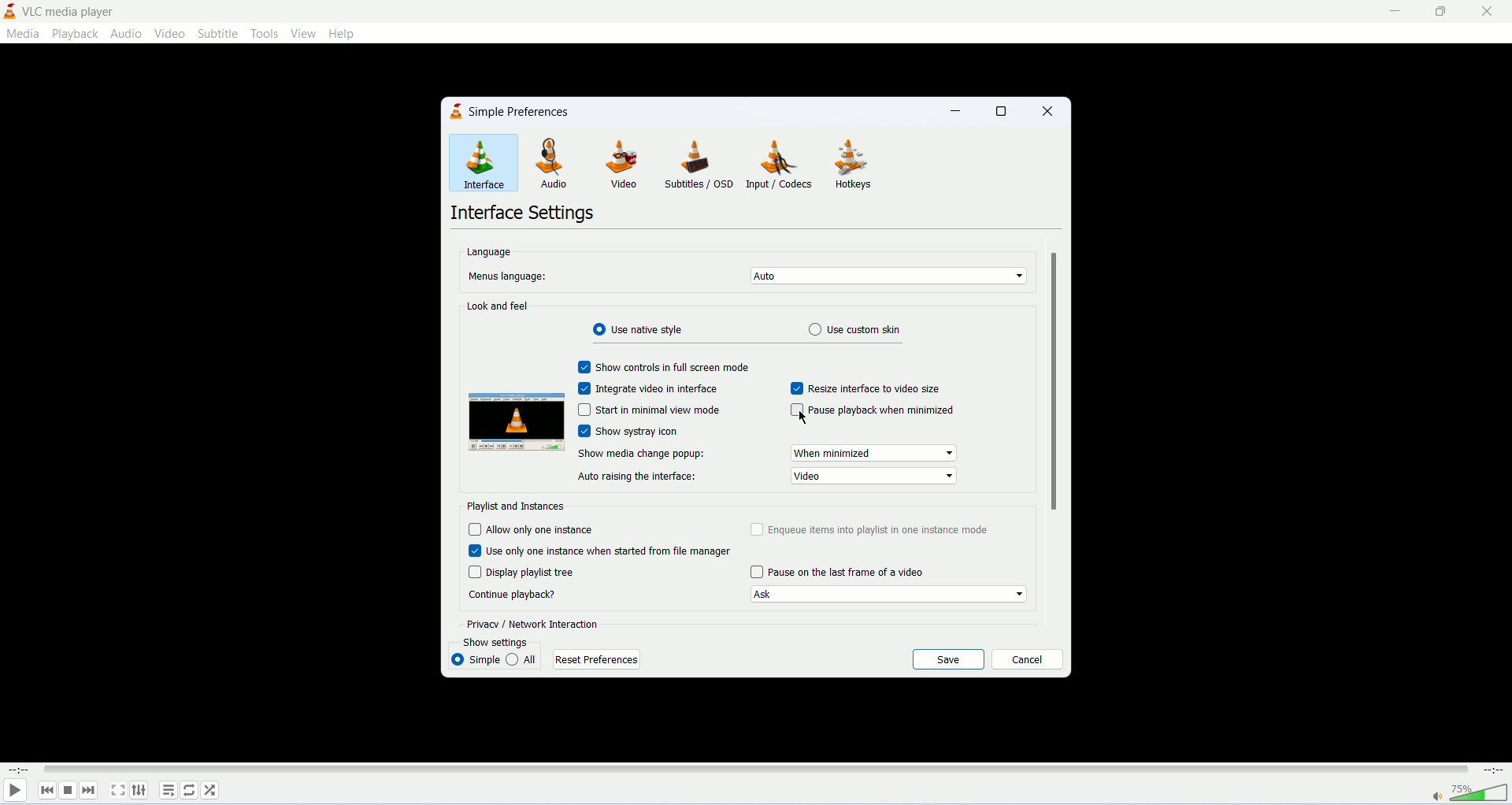 The height and width of the screenshot is (805, 1512). Describe the element at coordinates (1050, 112) in the screenshot. I see `close` at that location.